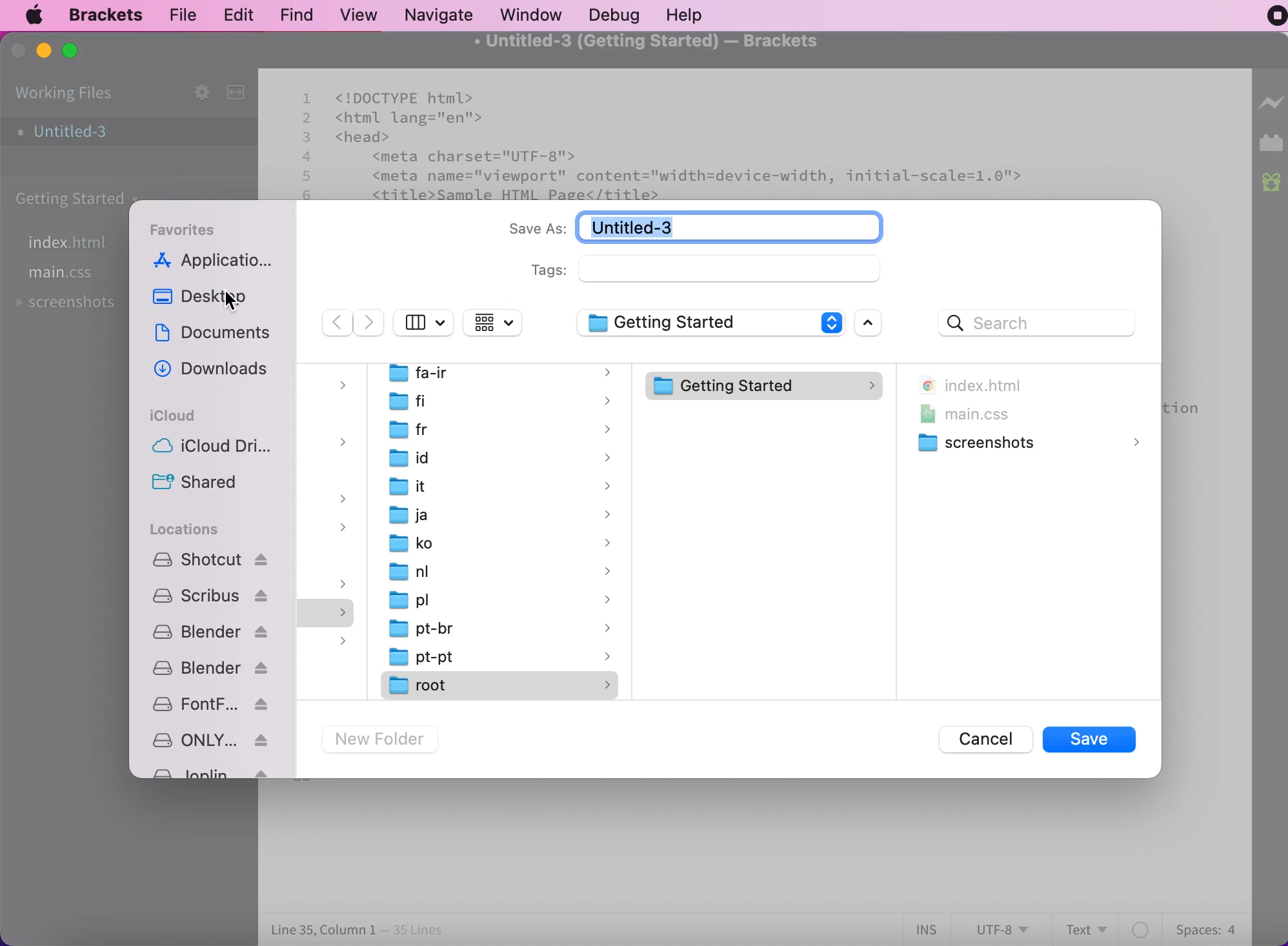 The height and width of the screenshot is (946, 1288). Describe the element at coordinates (361, 14) in the screenshot. I see `view` at that location.